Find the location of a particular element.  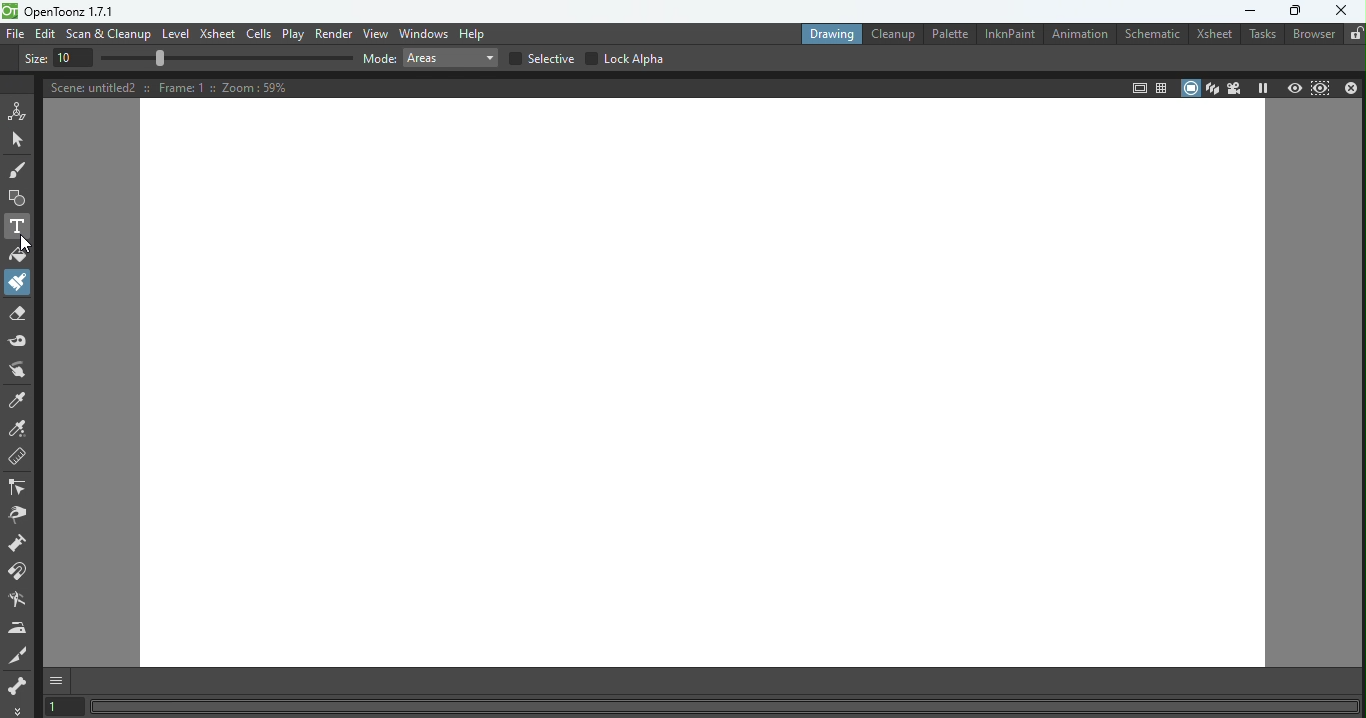

Fill tool is located at coordinates (18, 254).